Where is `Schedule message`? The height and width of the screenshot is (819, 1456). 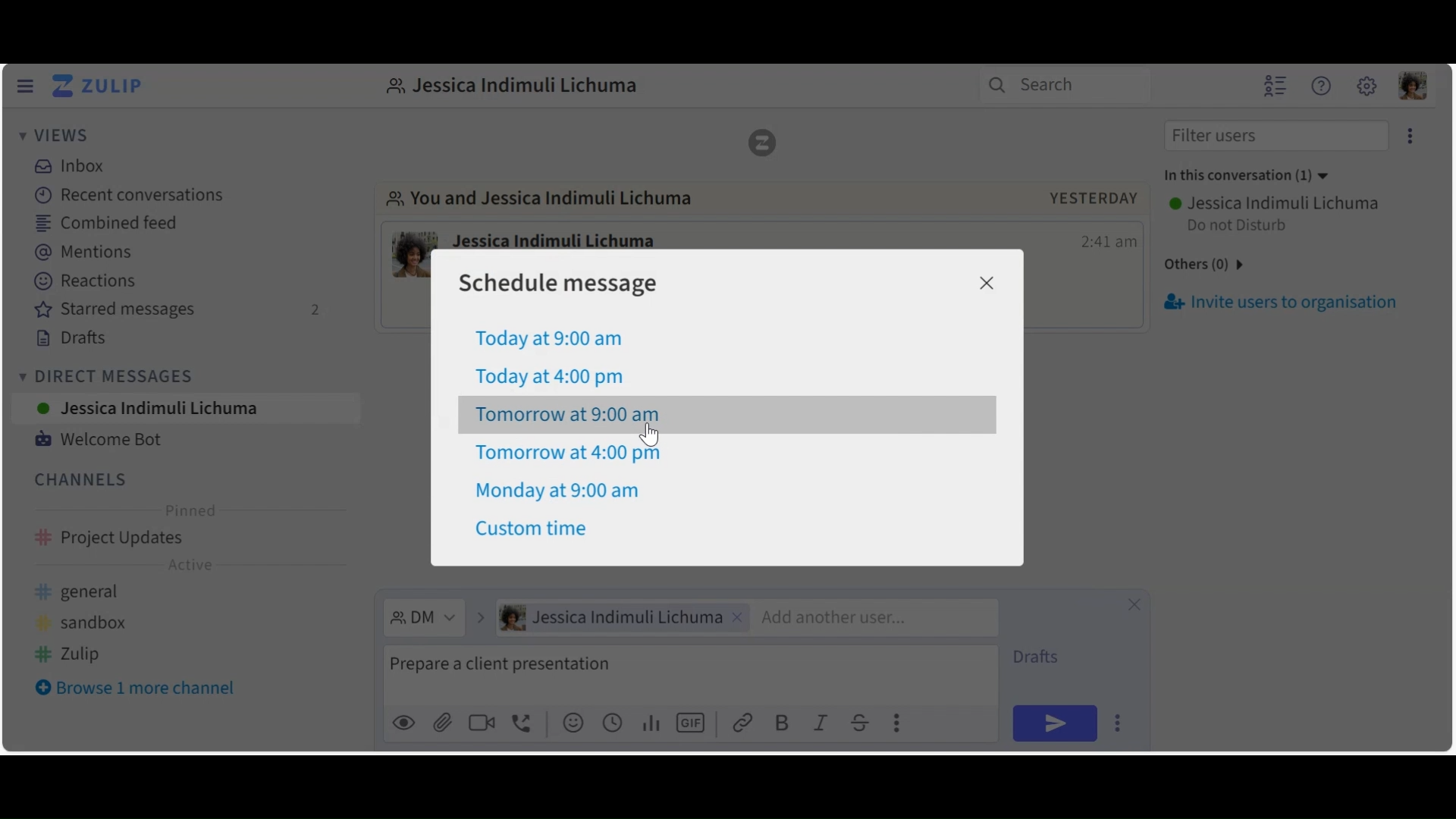 Schedule message is located at coordinates (559, 283).